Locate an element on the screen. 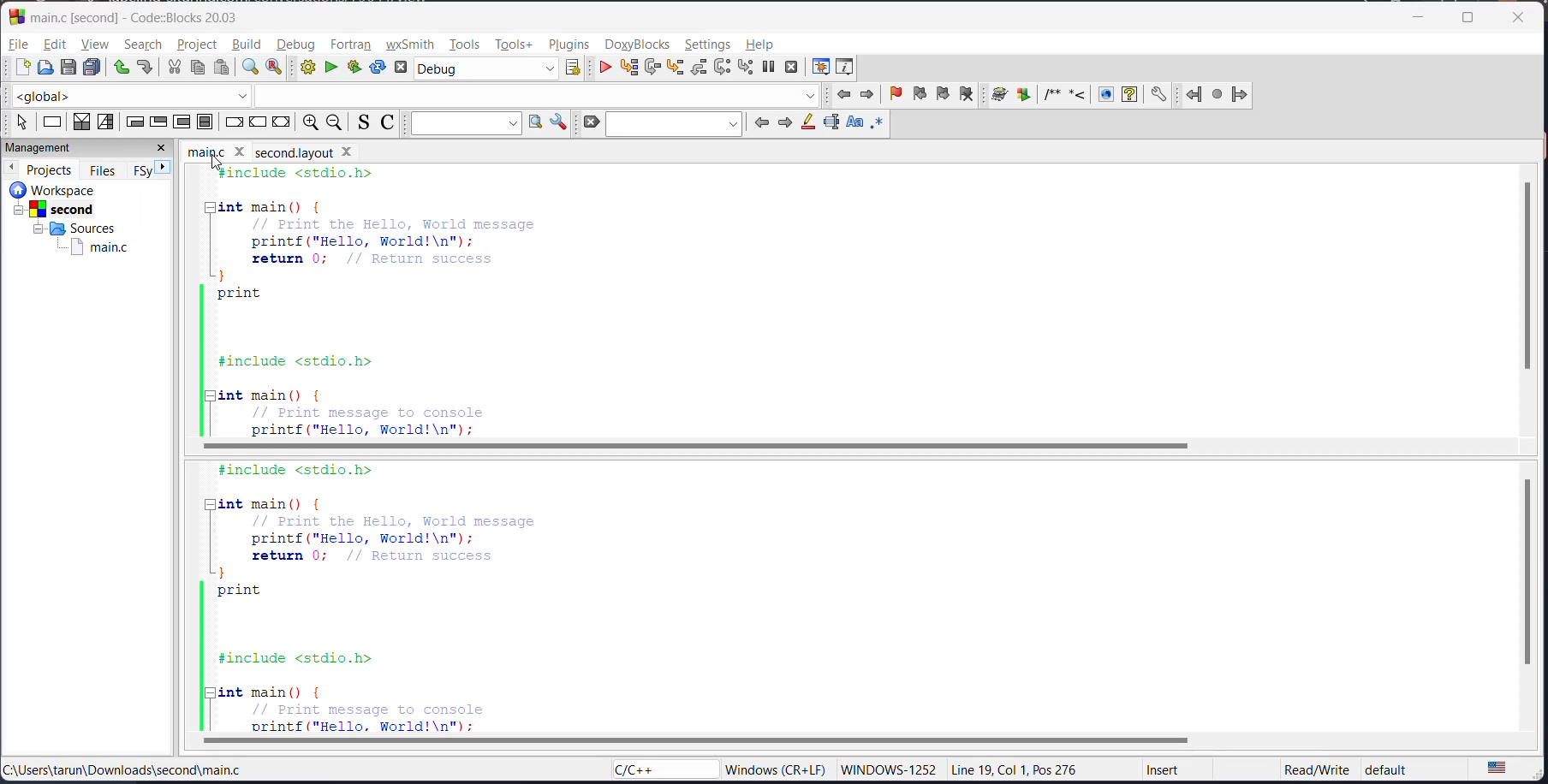 Image resolution: width=1548 pixels, height=784 pixels. projects is located at coordinates (51, 169).